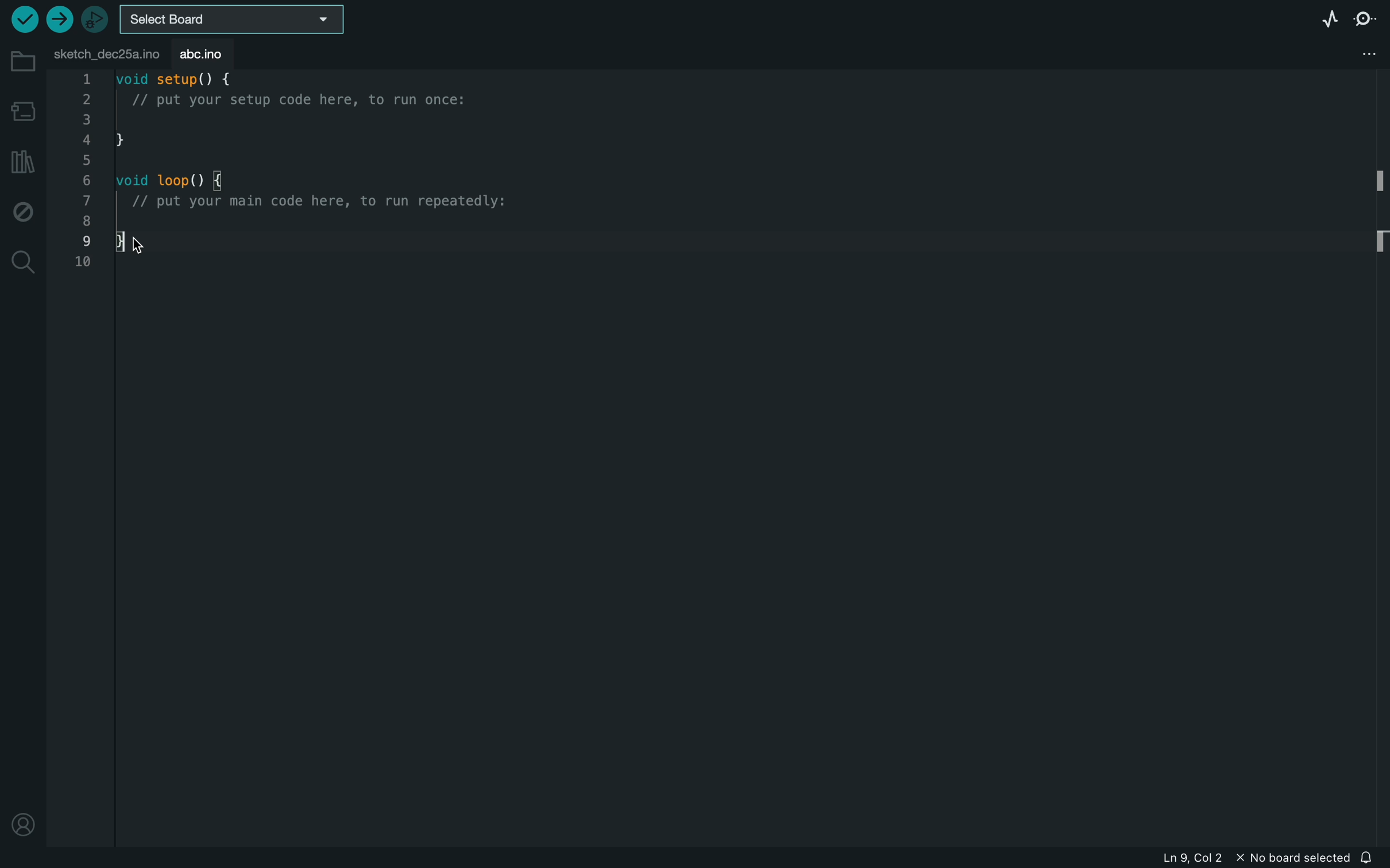 The width and height of the screenshot is (1390, 868). I want to click on serial  monitor, so click(1368, 21).